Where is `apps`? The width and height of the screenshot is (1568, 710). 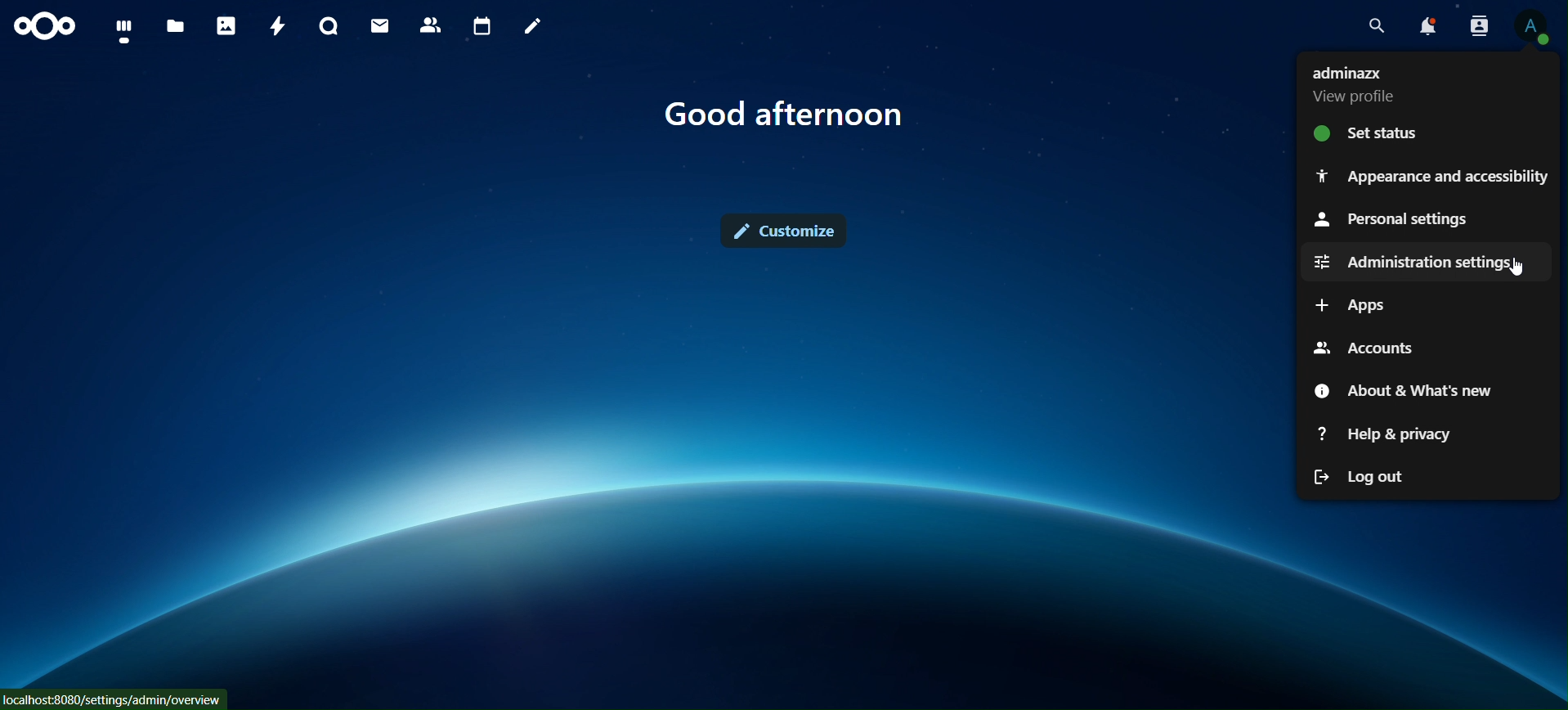
apps is located at coordinates (1346, 304).